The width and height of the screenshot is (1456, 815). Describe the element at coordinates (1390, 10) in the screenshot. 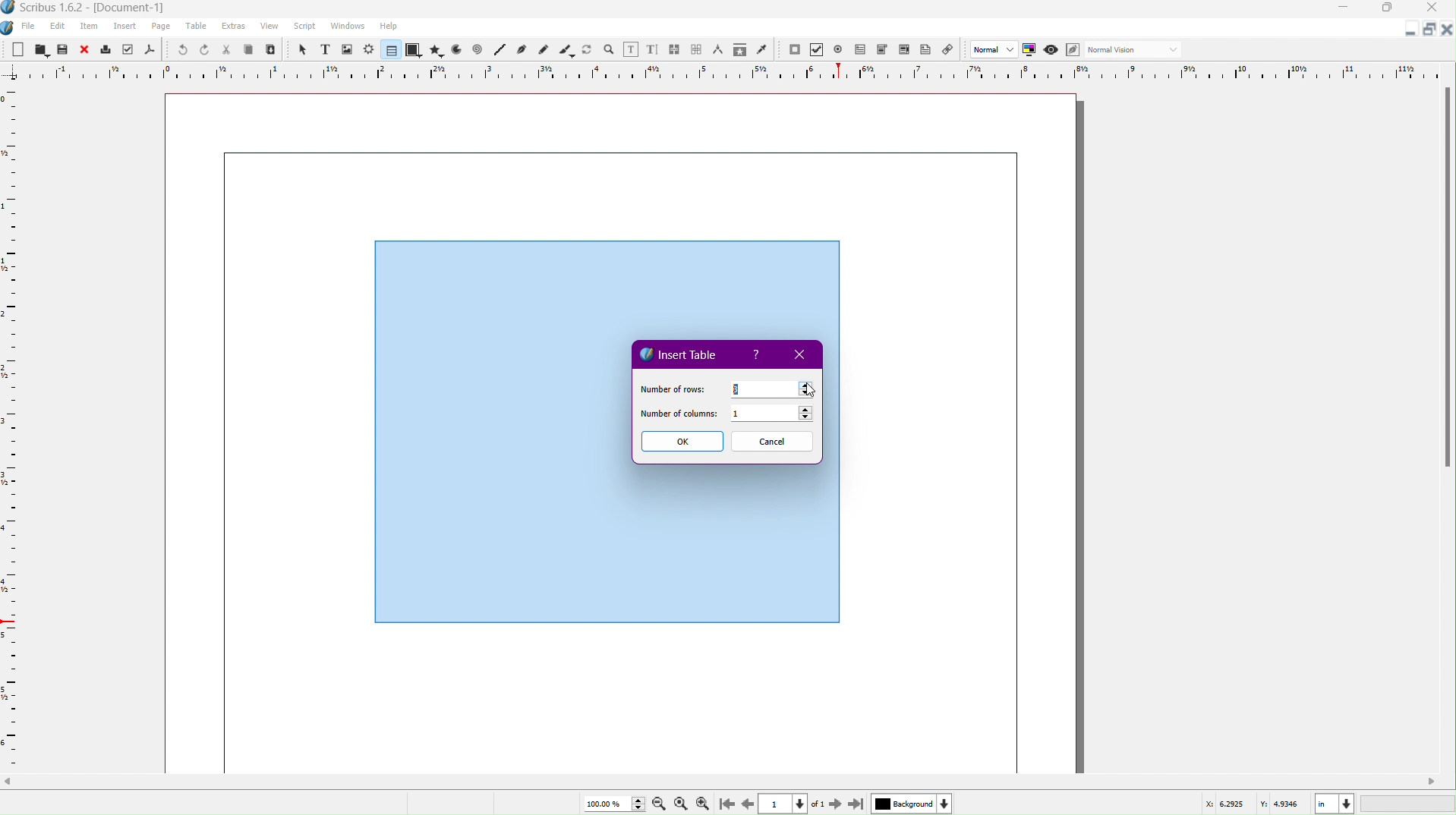

I see `Maximize` at that location.